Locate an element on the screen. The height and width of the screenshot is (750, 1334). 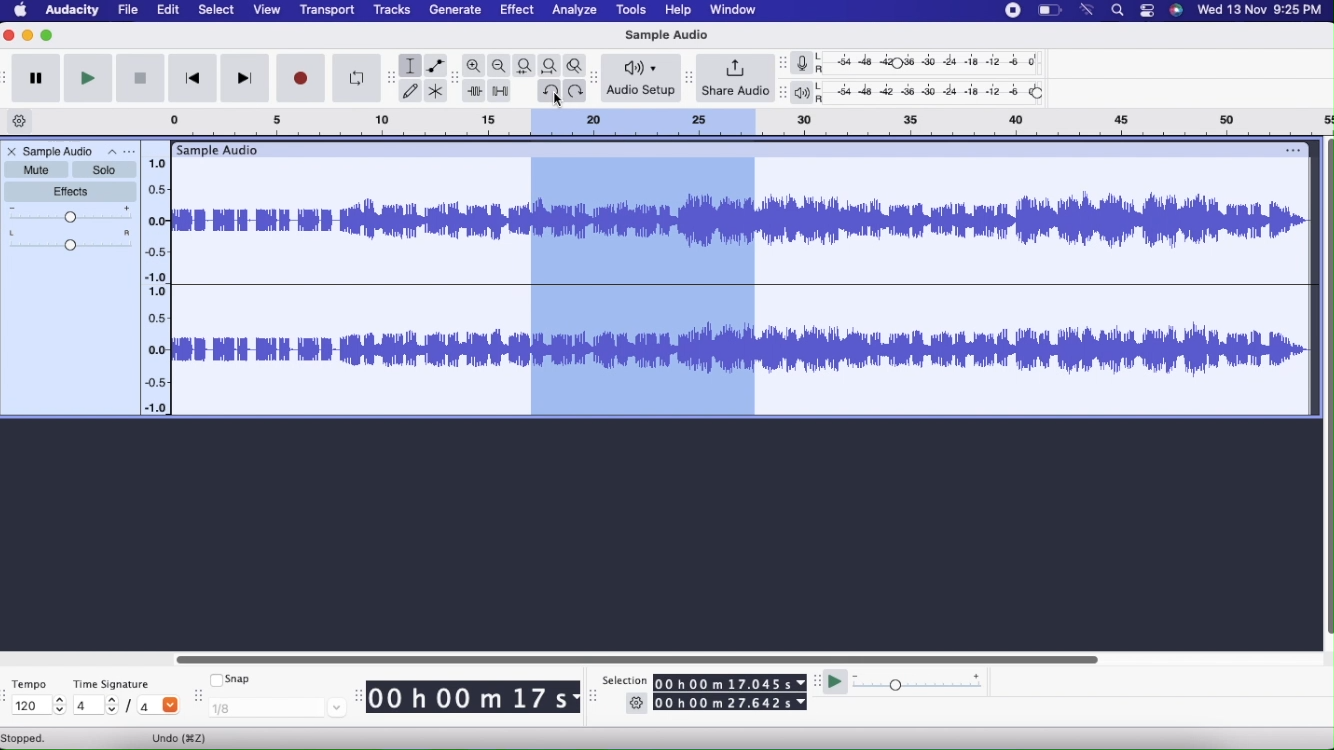
4 is located at coordinates (161, 707).